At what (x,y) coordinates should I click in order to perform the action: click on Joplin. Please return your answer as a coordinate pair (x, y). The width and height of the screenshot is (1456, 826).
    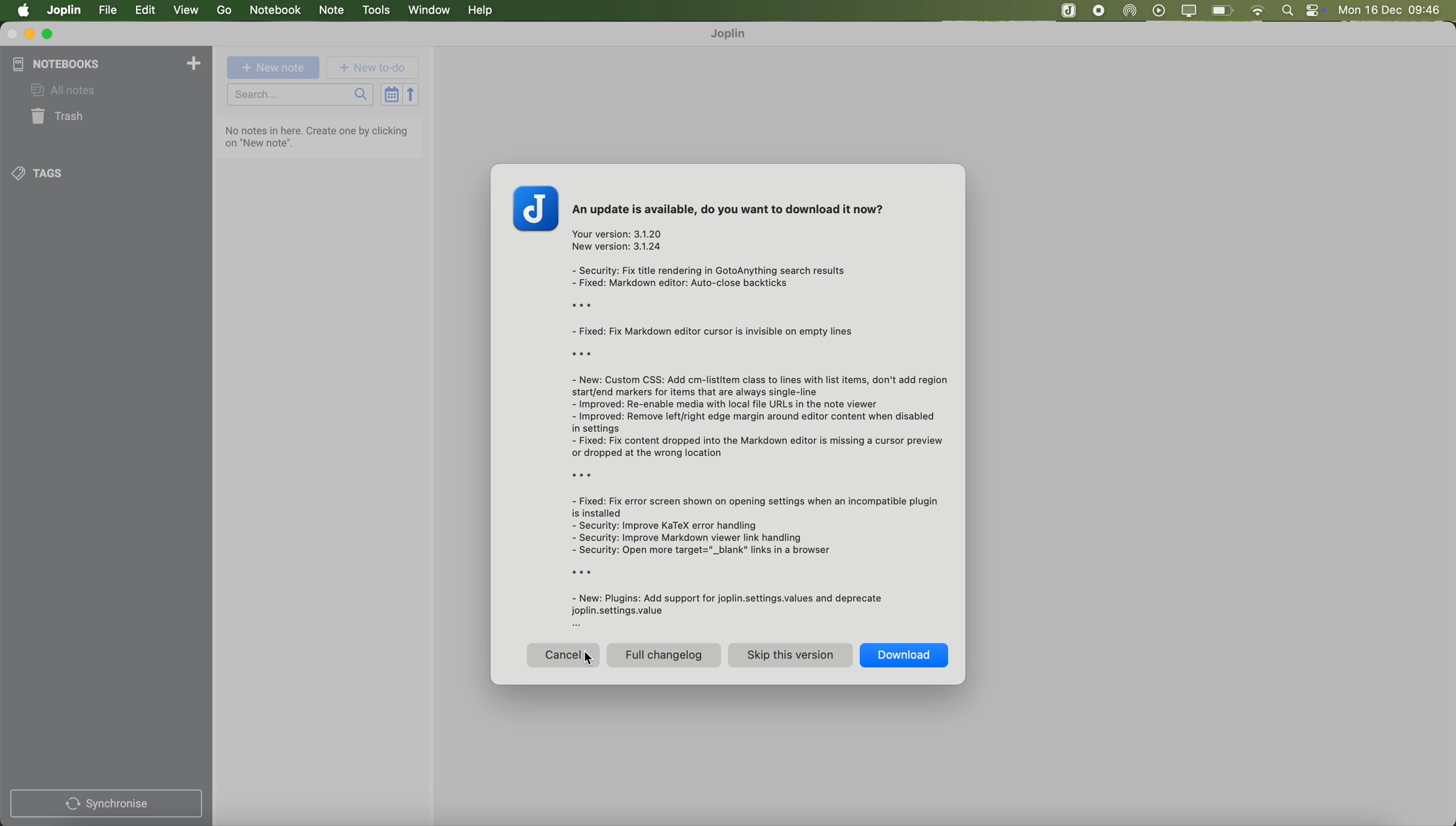
    Looking at the image, I should click on (65, 10).